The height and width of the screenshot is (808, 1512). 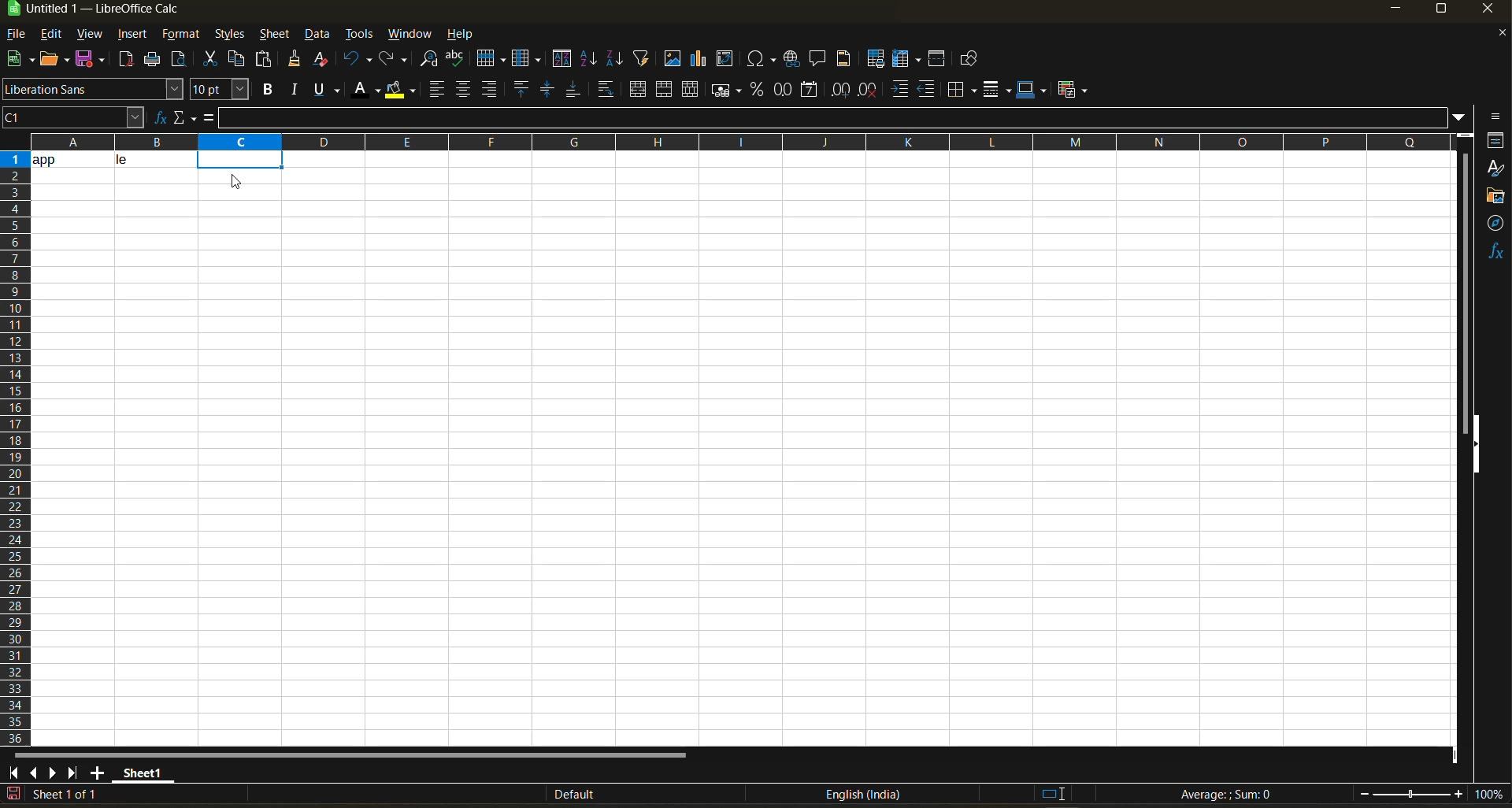 What do you see at coordinates (1493, 117) in the screenshot?
I see `sidebar settings` at bounding box center [1493, 117].